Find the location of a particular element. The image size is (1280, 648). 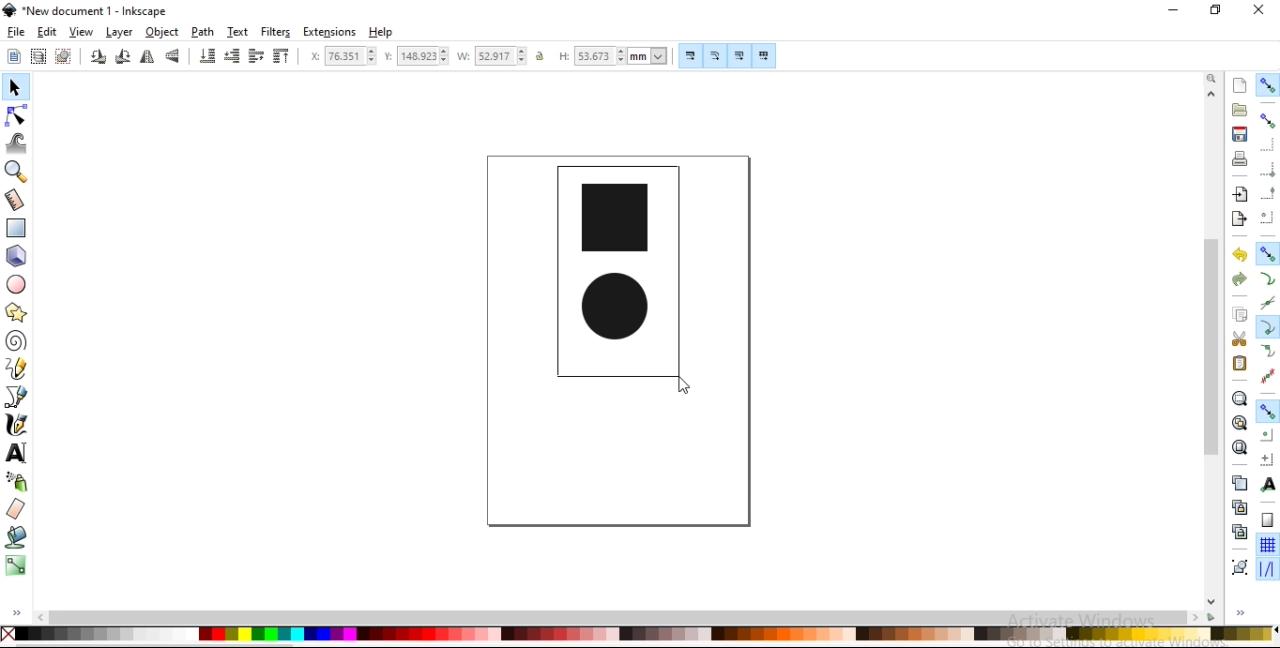

scale stroke width by same proportion  is located at coordinates (690, 56).